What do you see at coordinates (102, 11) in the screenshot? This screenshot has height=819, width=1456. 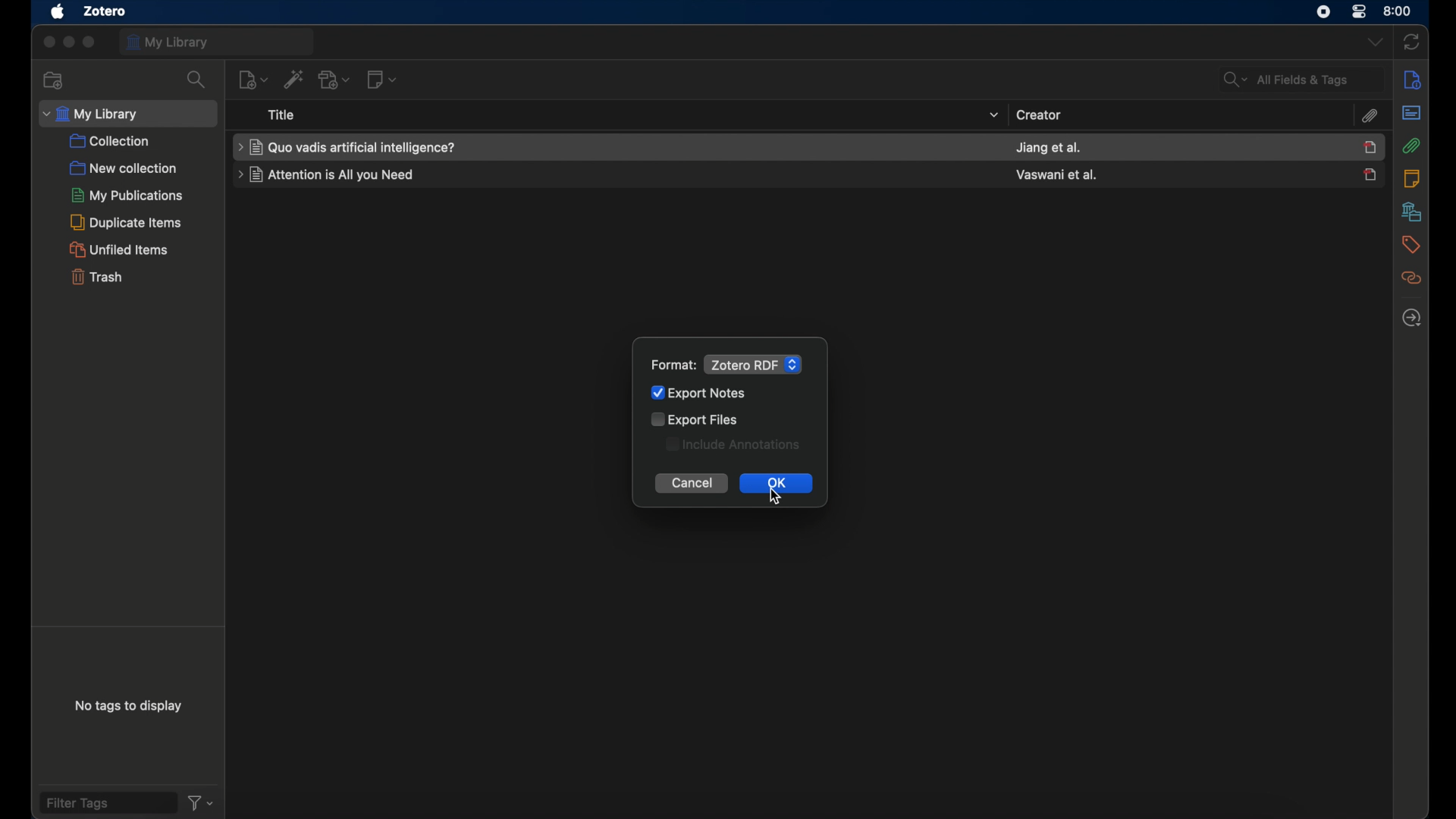 I see `zotero` at bounding box center [102, 11].